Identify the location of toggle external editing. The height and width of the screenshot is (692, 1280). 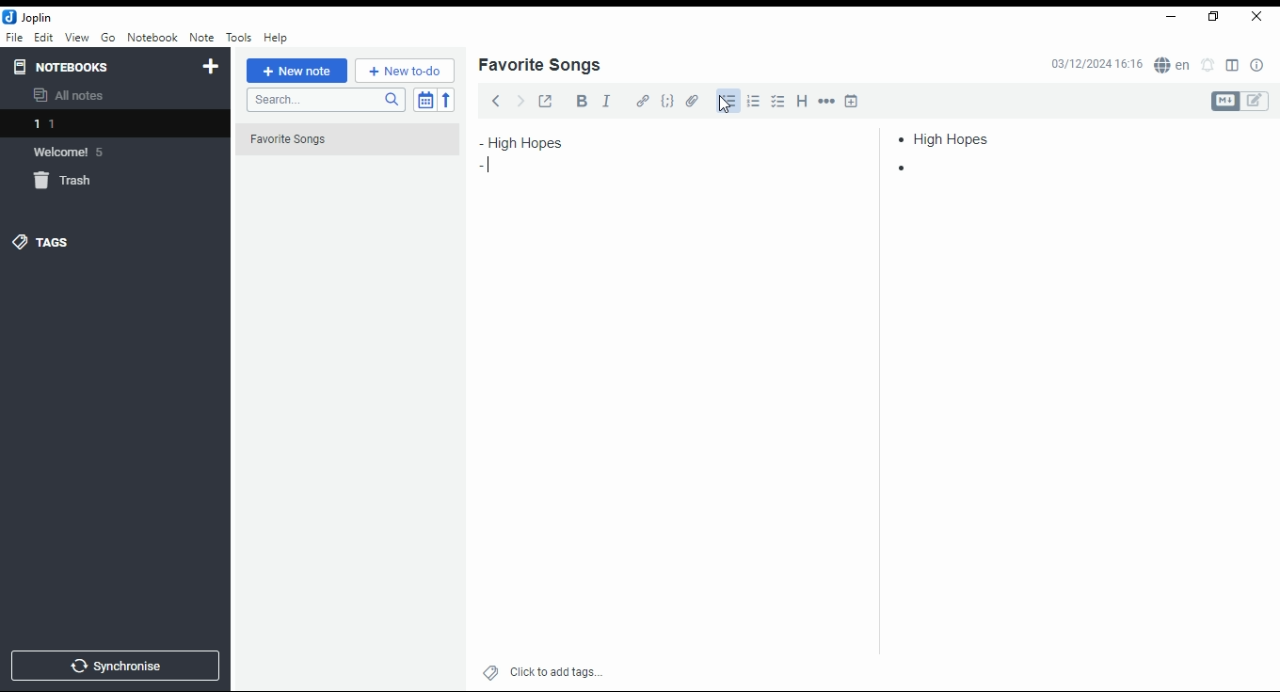
(546, 100).